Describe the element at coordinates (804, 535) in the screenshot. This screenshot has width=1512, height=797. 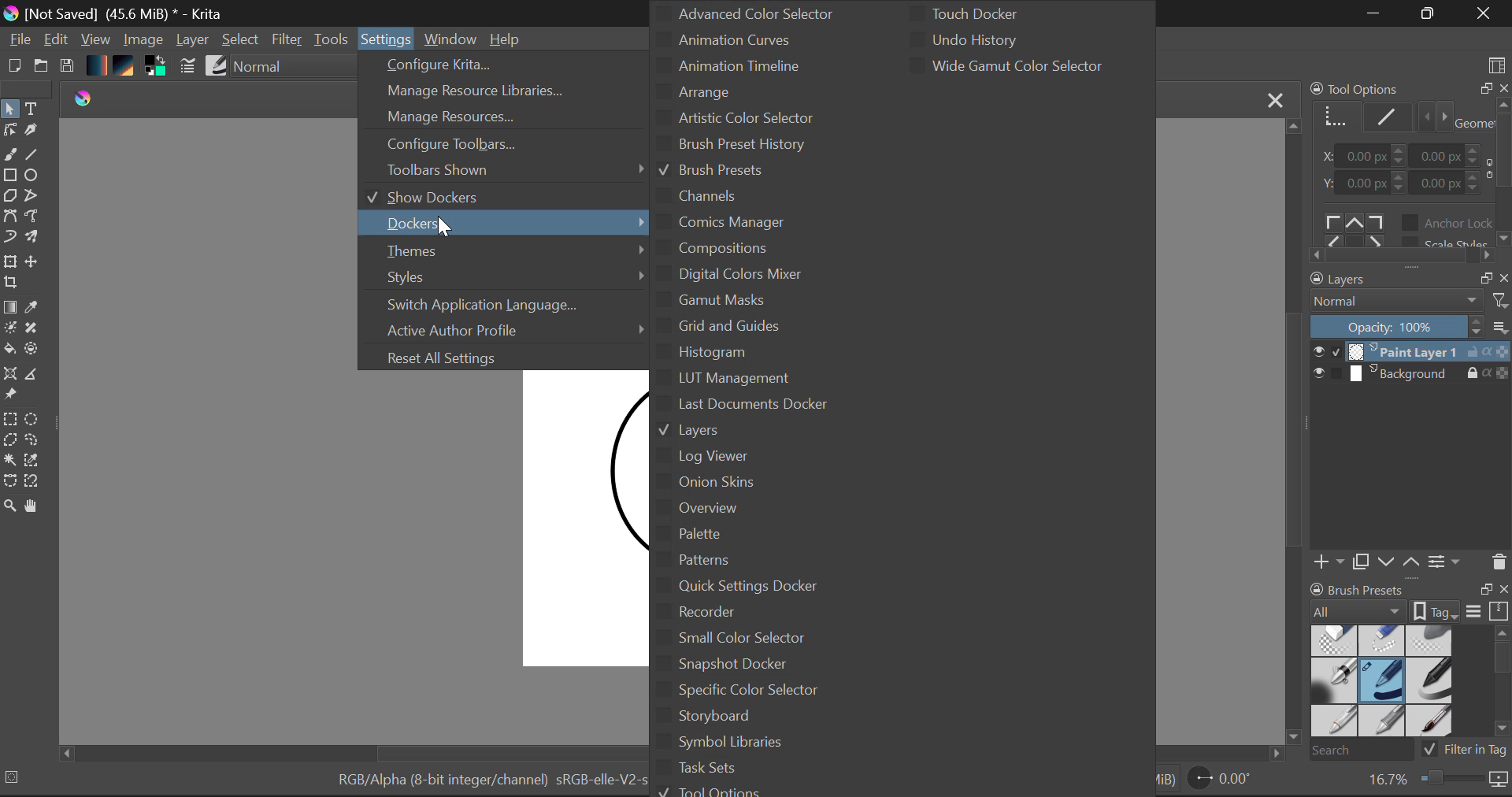
I see `Palette` at that location.